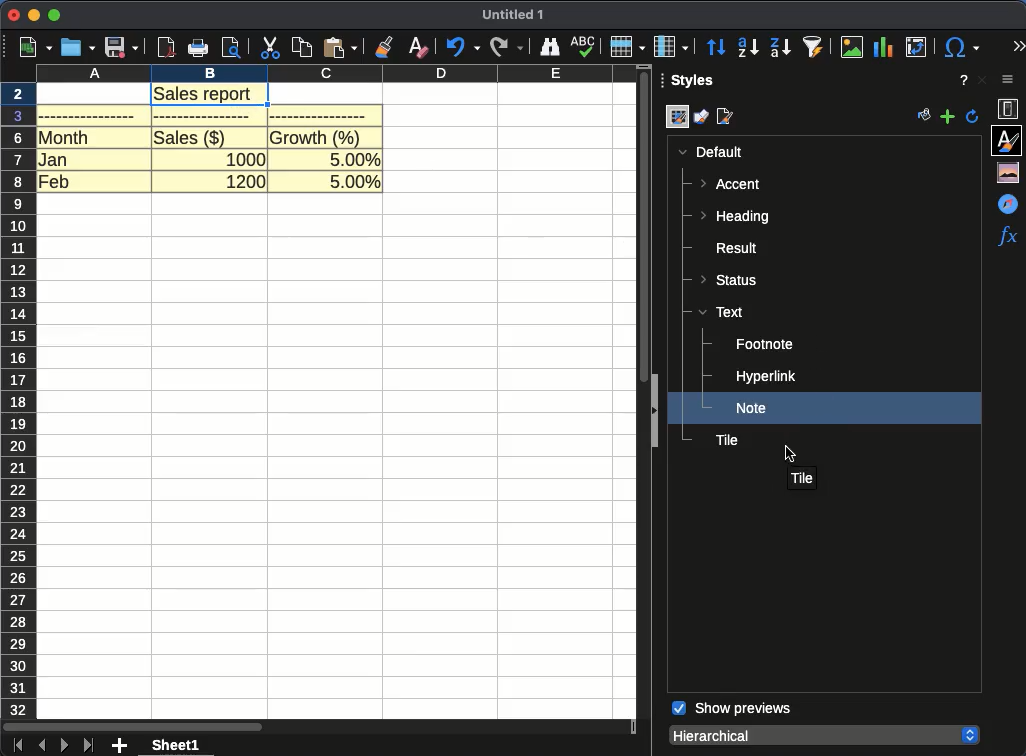  I want to click on spell check, so click(582, 46).